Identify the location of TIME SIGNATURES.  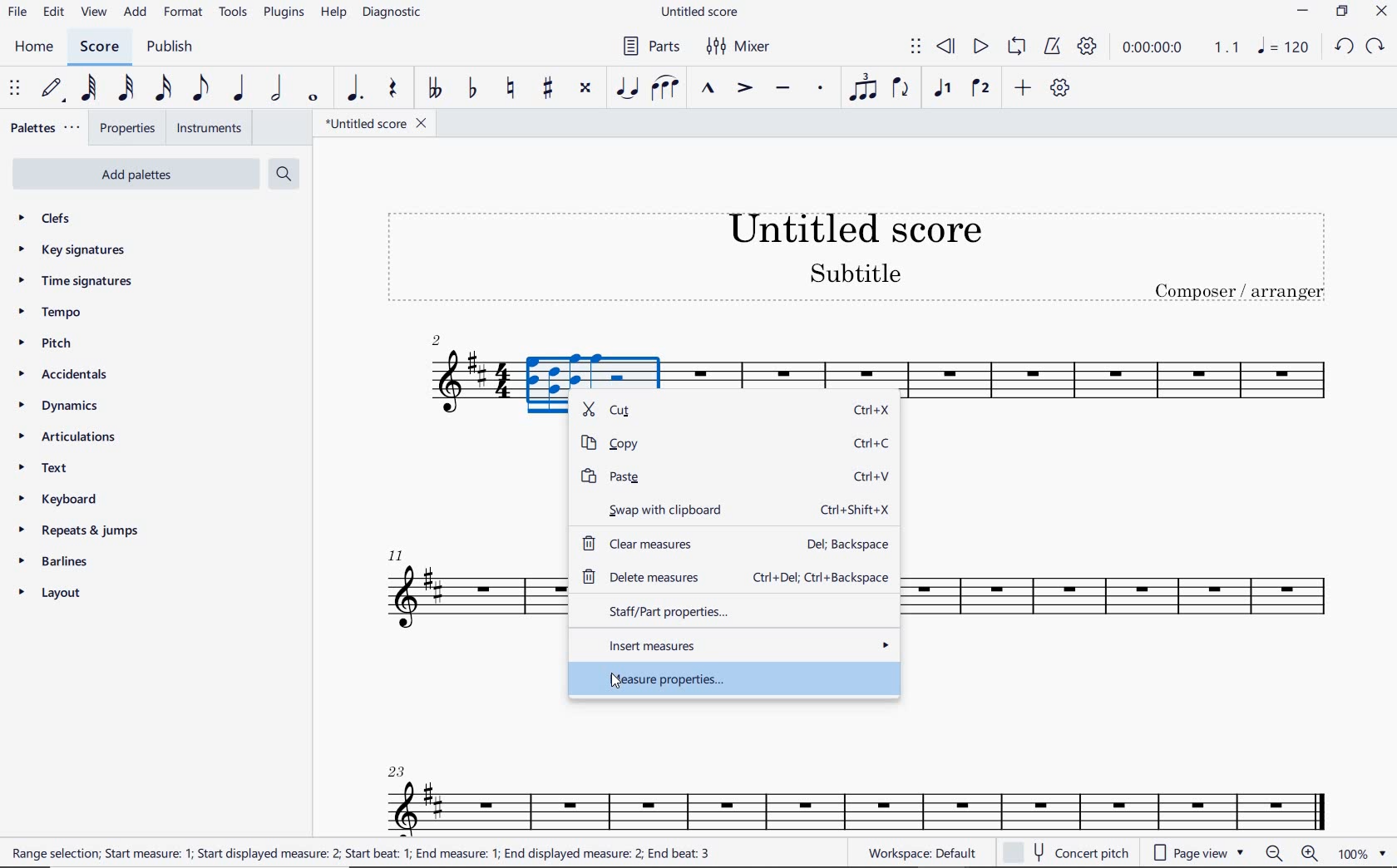
(77, 282).